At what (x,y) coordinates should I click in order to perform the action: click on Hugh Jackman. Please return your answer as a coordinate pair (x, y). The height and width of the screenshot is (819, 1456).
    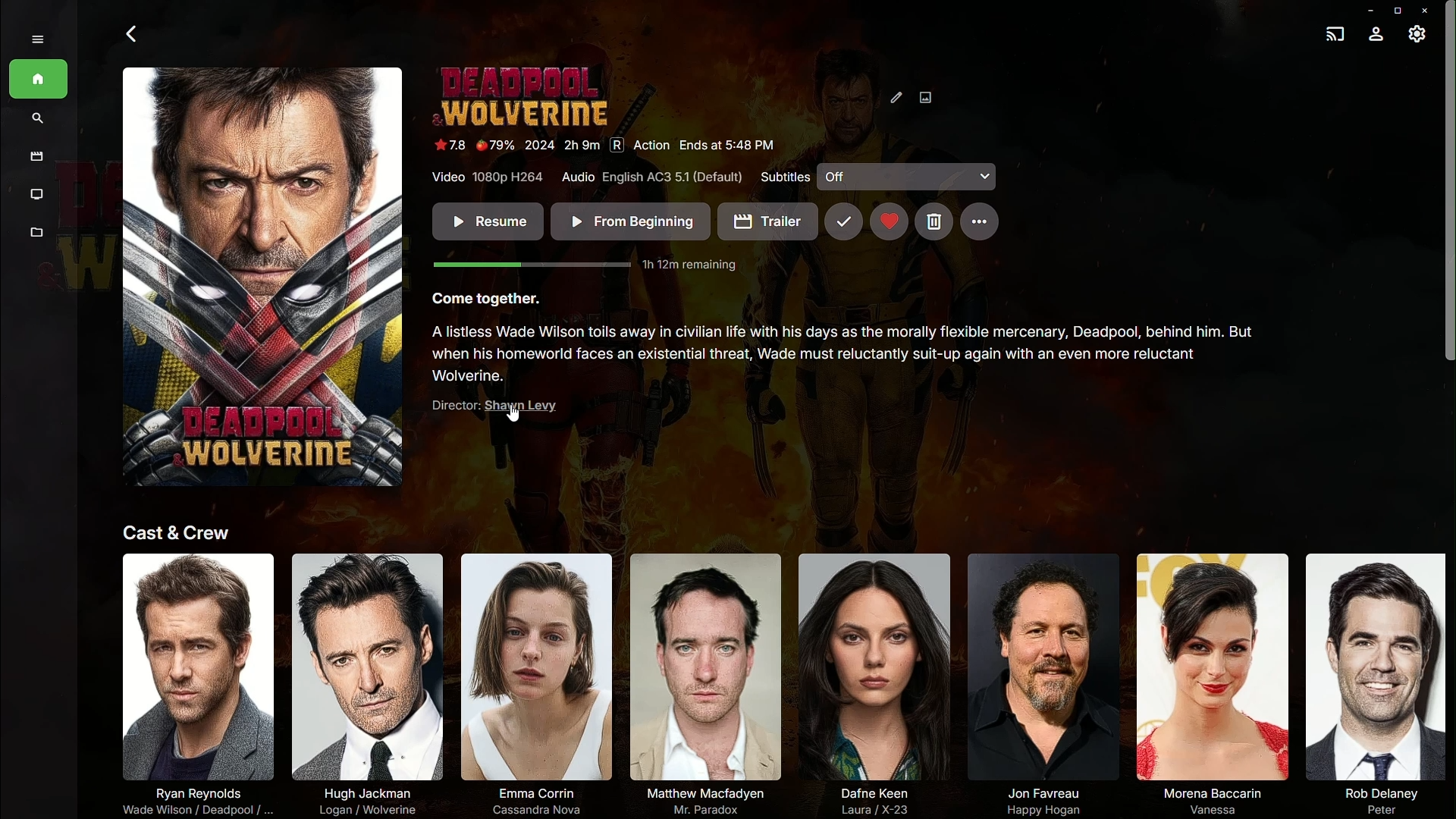
    Looking at the image, I should click on (366, 679).